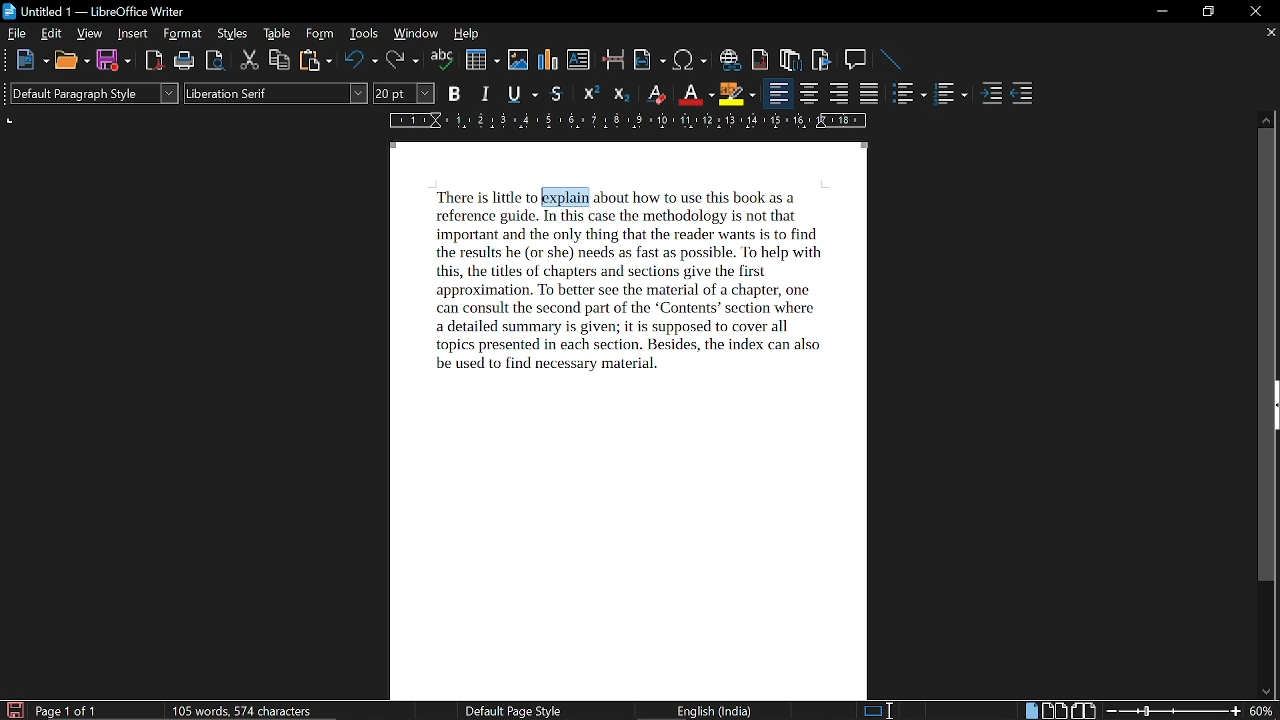 This screenshot has height=720, width=1280. I want to click on bold, so click(455, 94).